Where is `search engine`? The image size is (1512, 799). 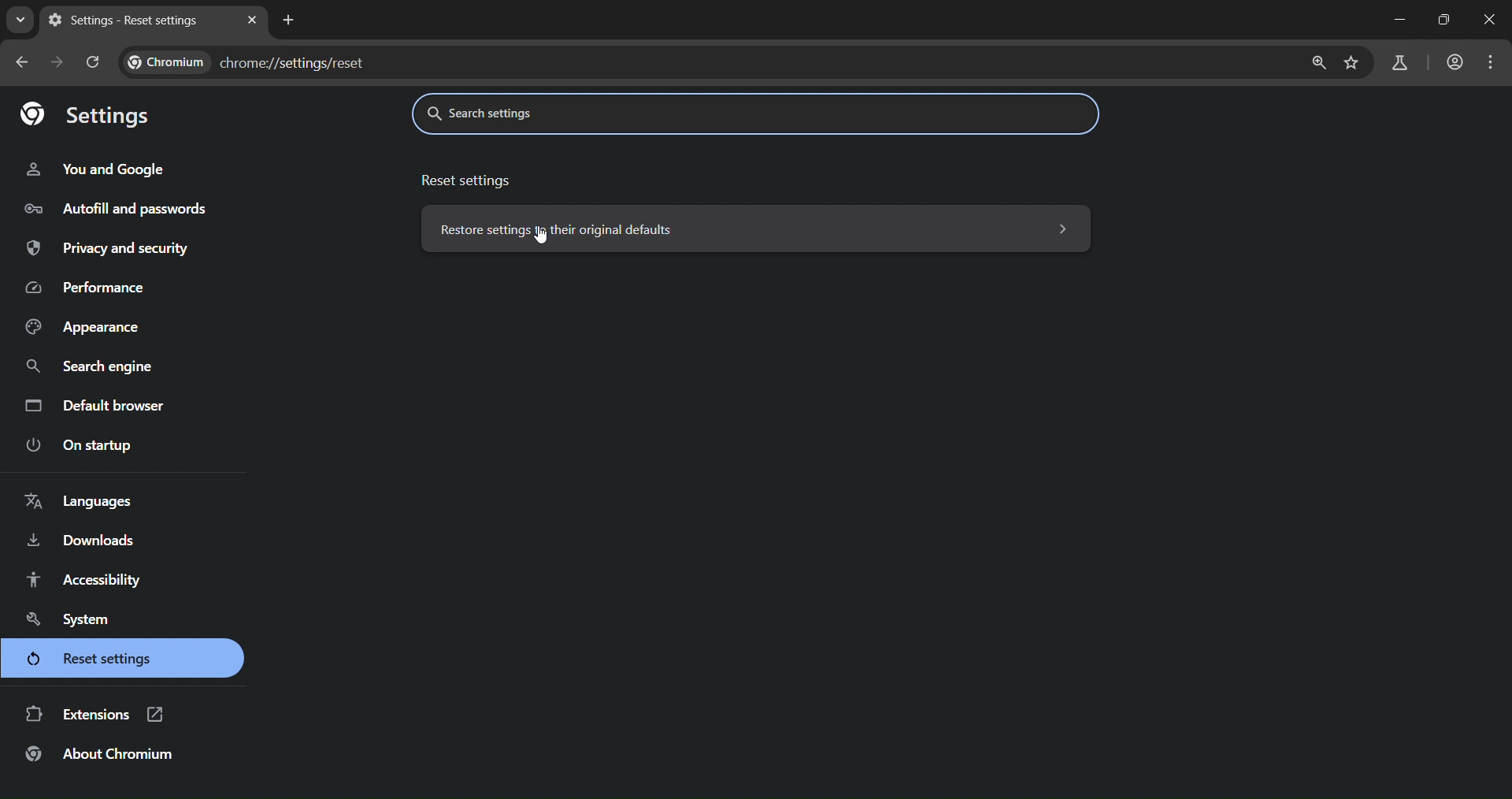
search engine is located at coordinates (94, 368).